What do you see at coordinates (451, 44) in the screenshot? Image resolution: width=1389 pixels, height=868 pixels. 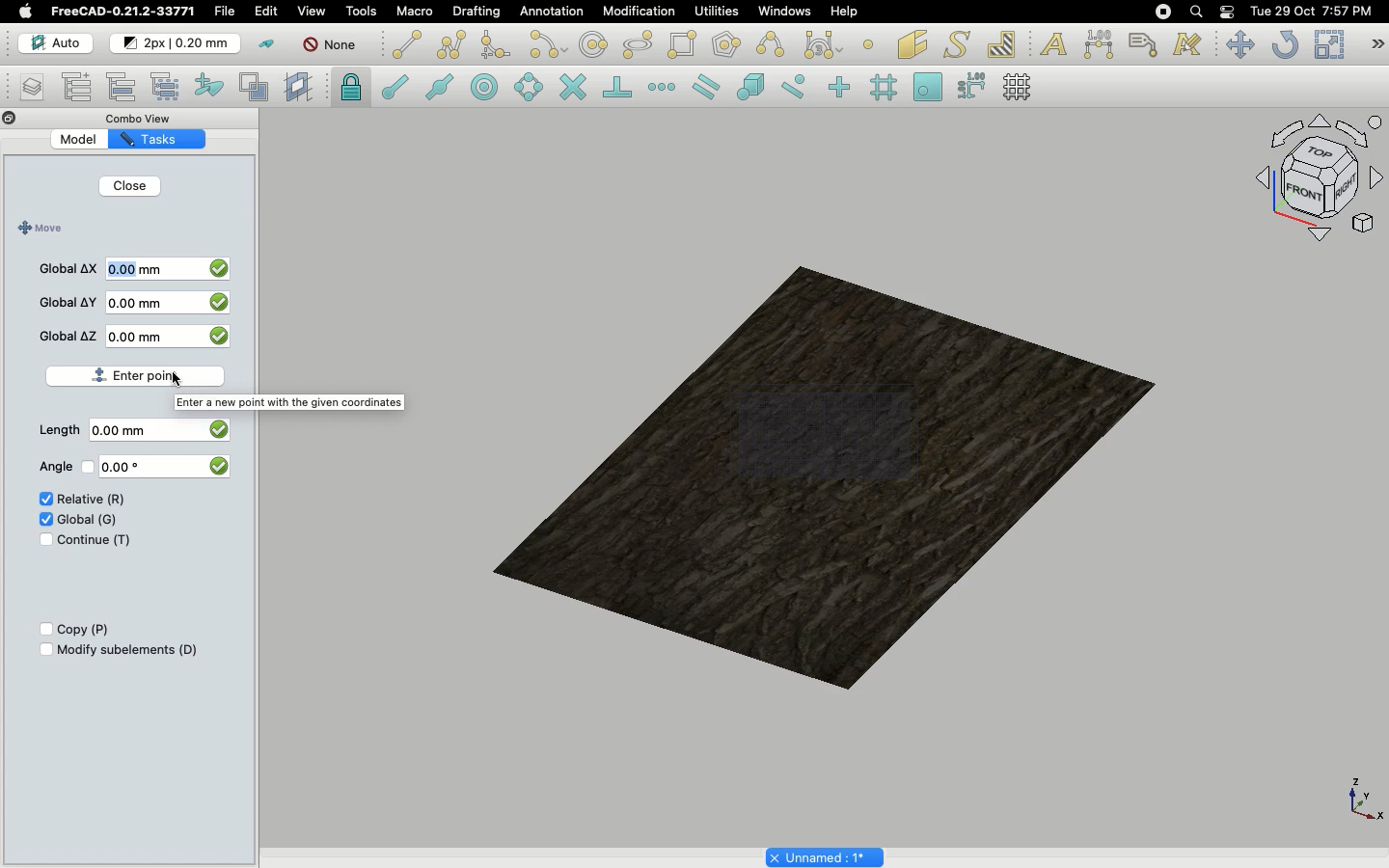 I see `Polyline` at bounding box center [451, 44].